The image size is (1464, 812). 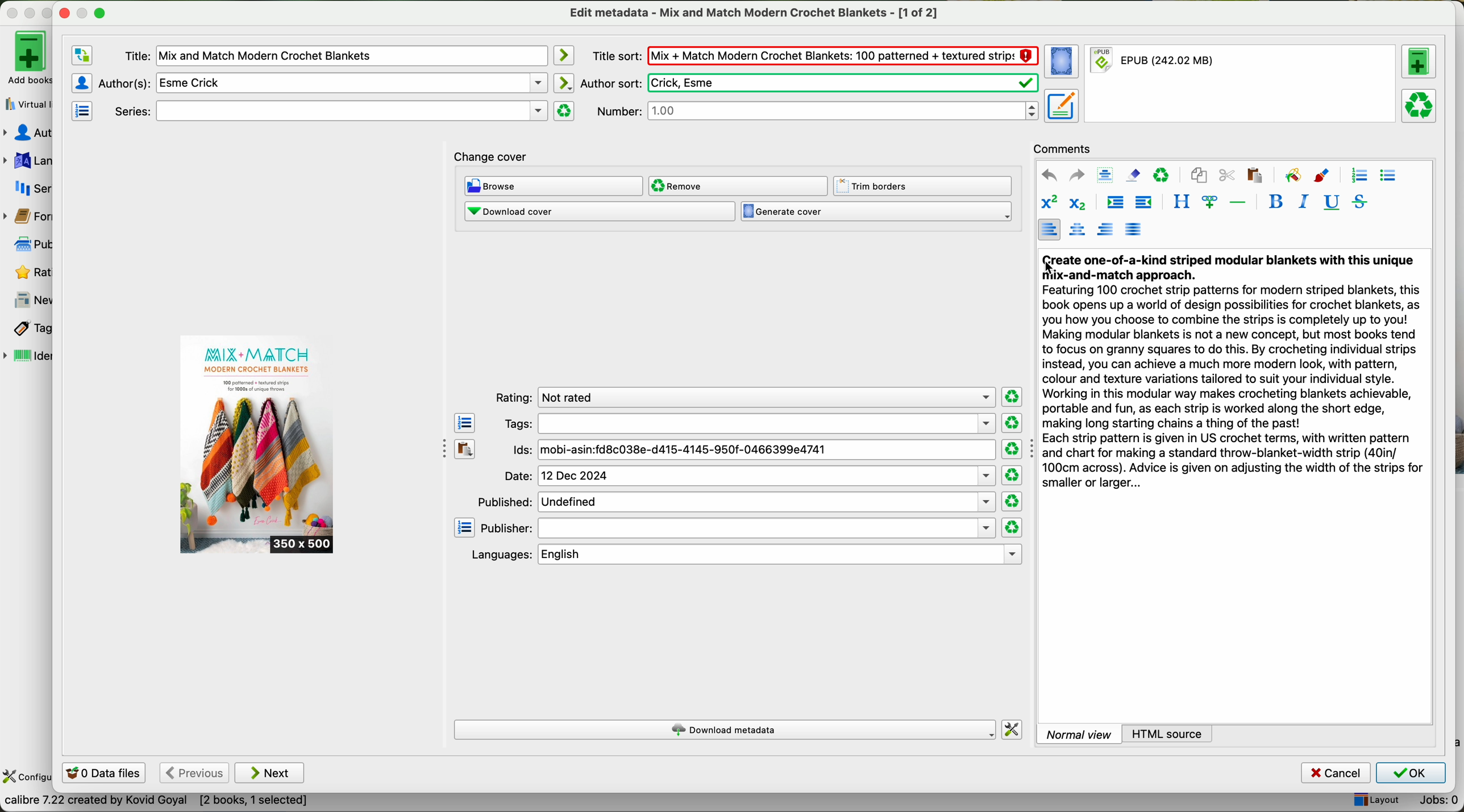 I want to click on select all, so click(x=1105, y=176).